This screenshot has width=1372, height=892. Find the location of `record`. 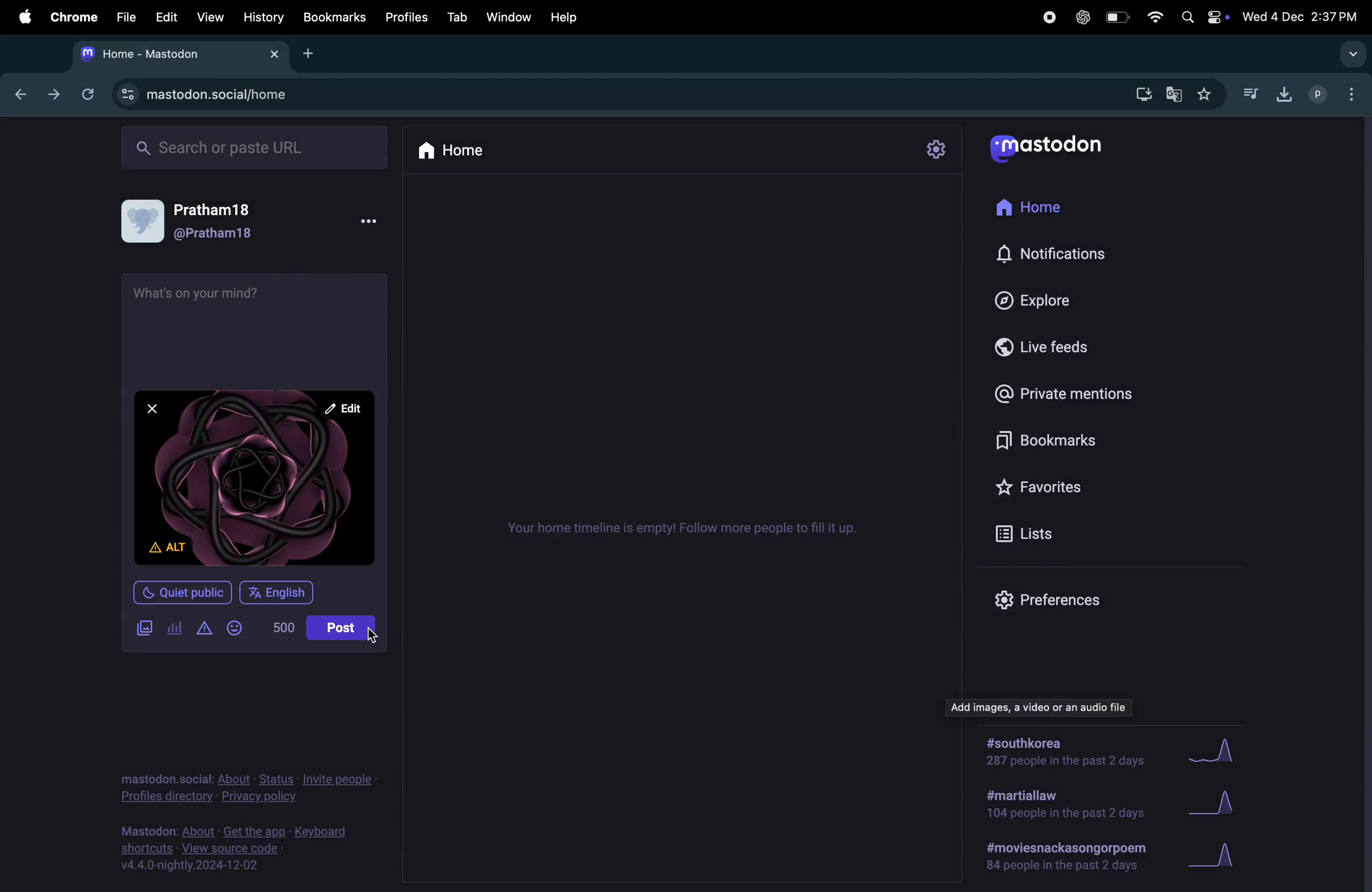

record is located at coordinates (1048, 17).